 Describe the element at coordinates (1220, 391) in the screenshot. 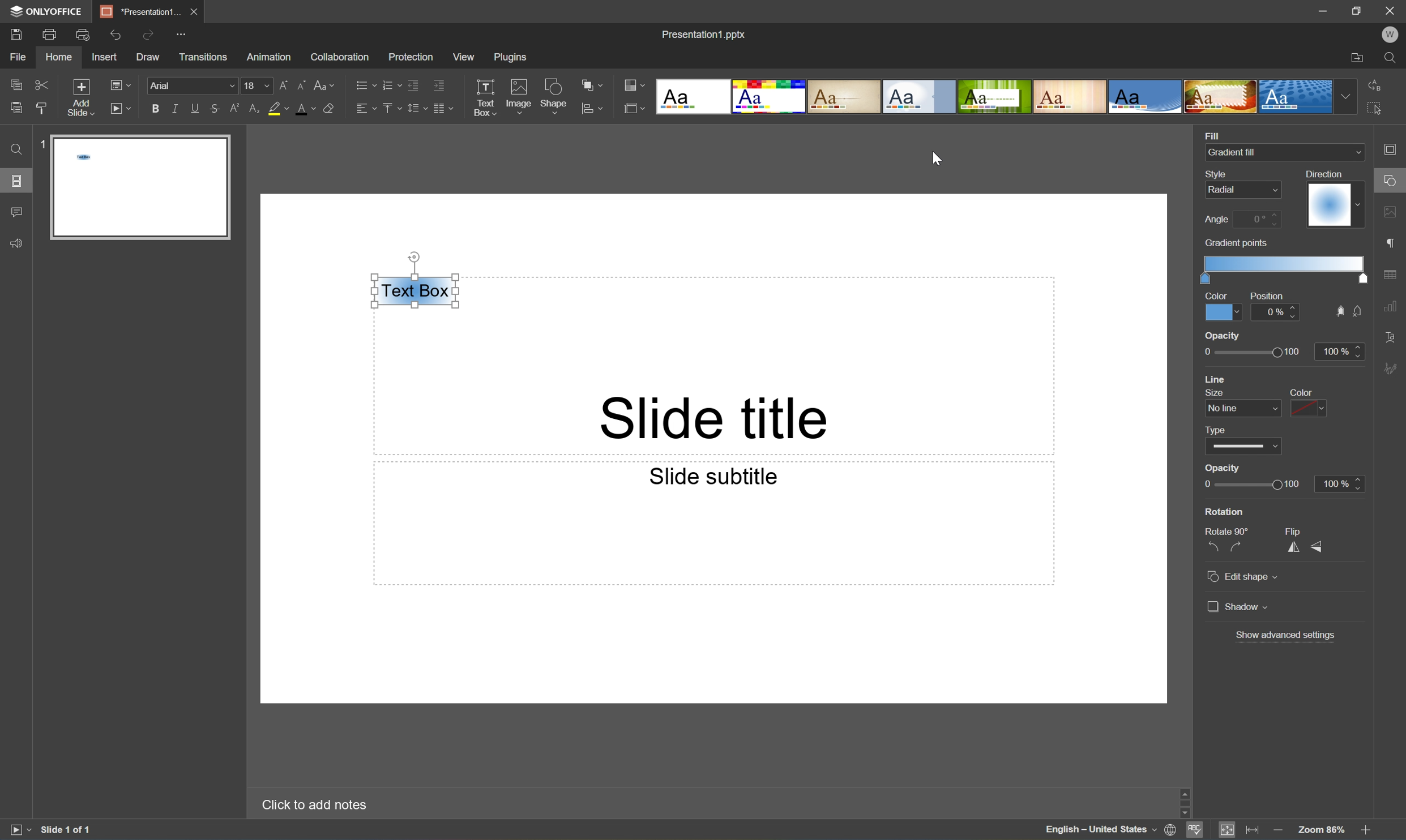

I see `Size` at that location.